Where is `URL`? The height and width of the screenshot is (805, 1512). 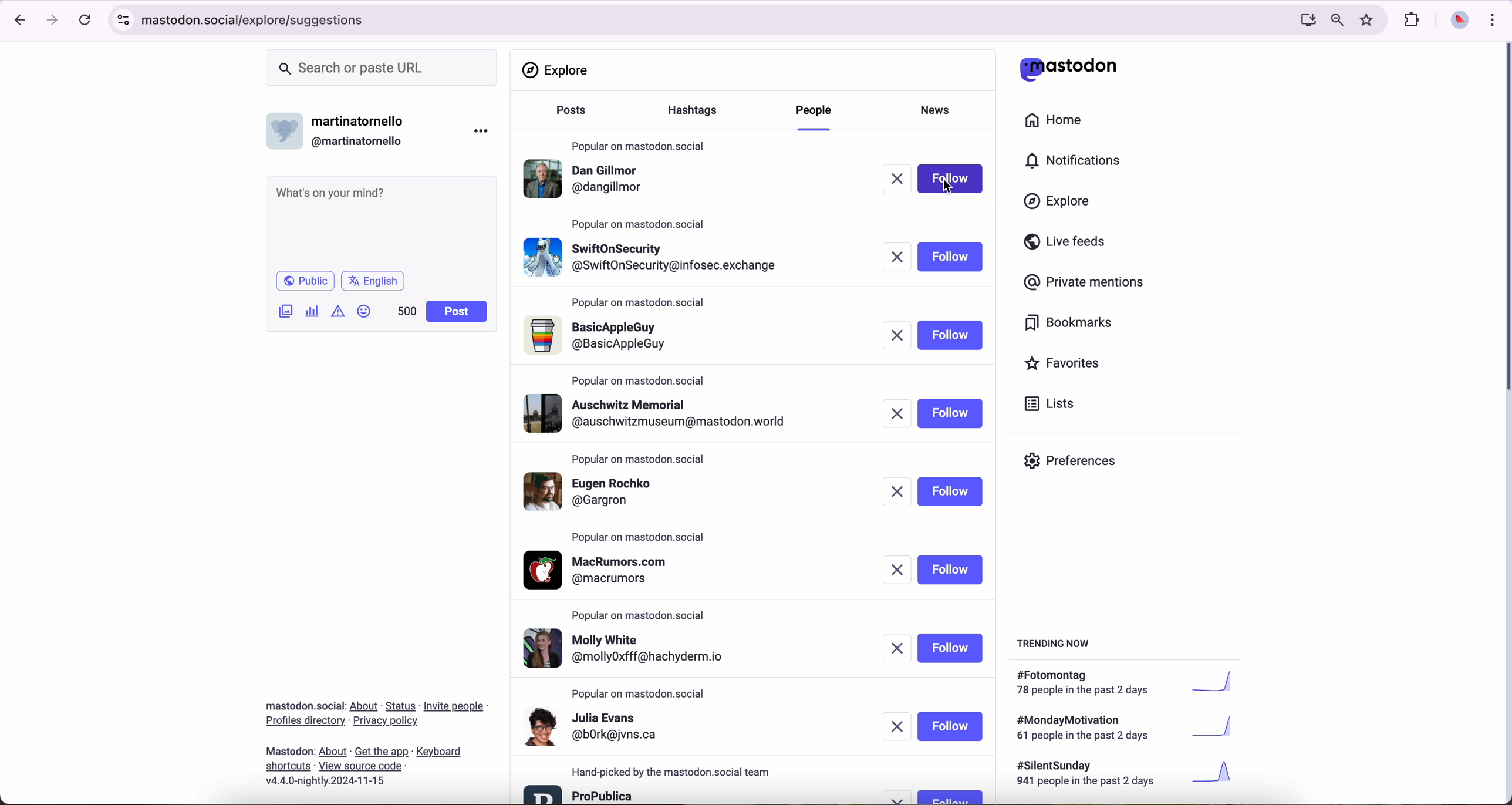 URL is located at coordinates (258, 18).